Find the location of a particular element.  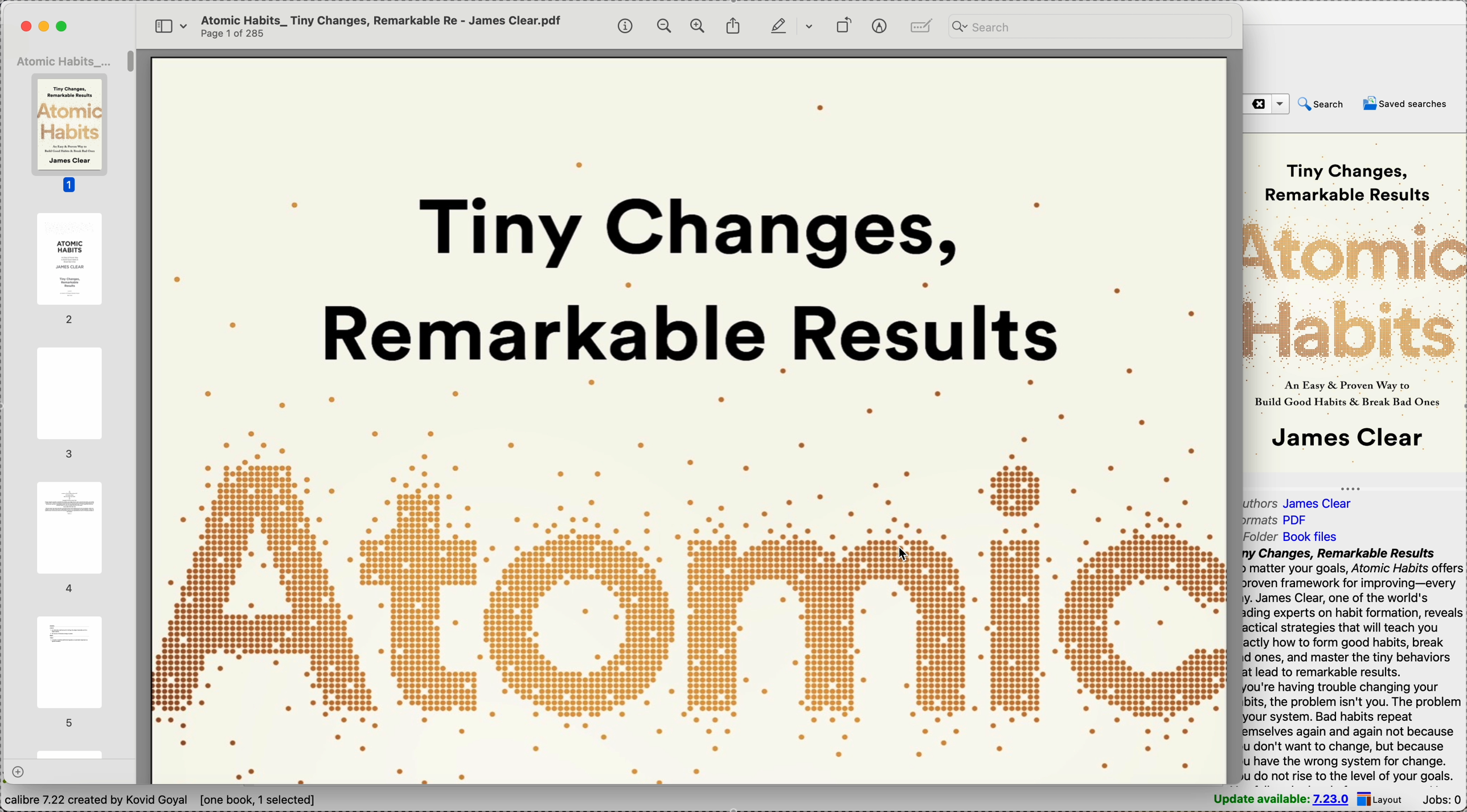

maximize is located at coordinates (65, 27).